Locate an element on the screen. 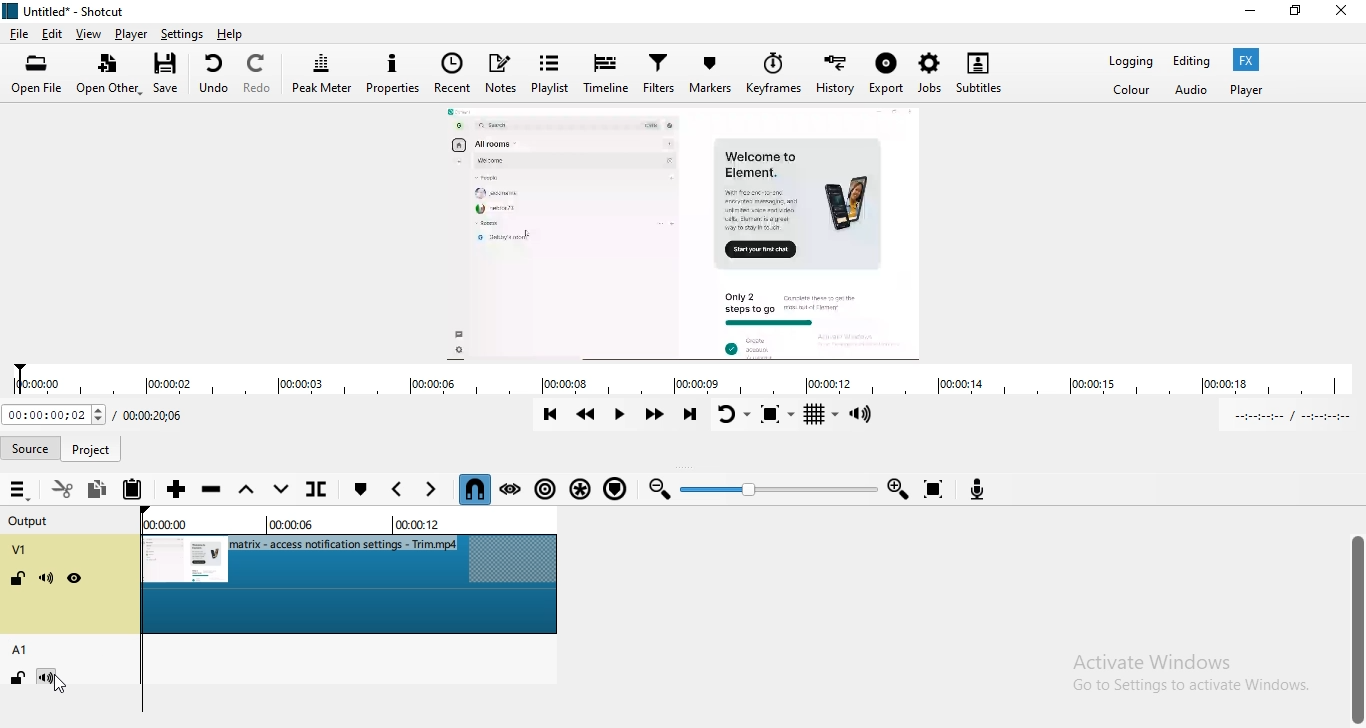 This screenshot has height=728, width=1366. Redo is located at coordinates (258, 76).